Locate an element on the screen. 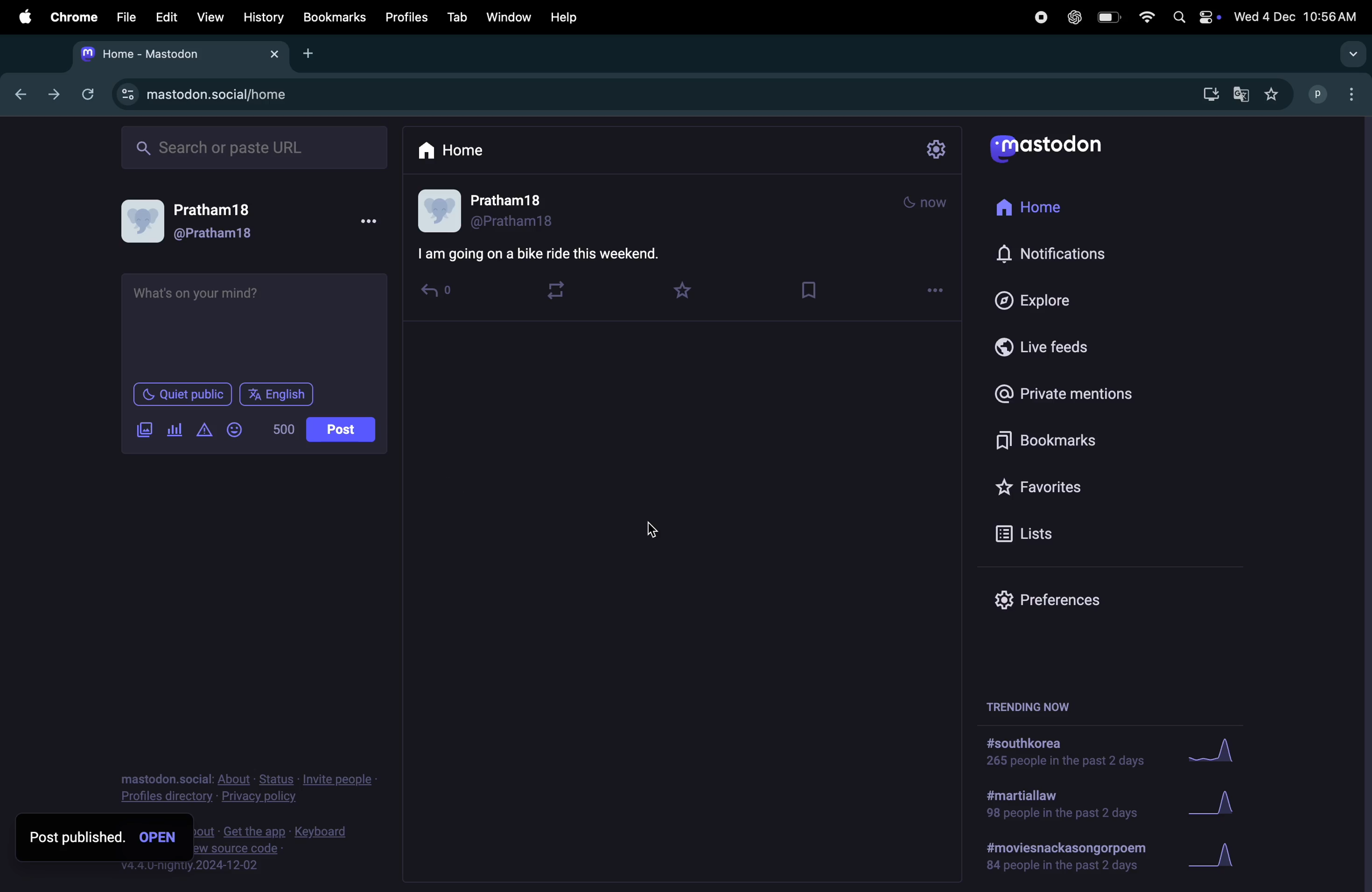 The height and width of the screenshot is (892, 1372). history is located at coordinates (263, 16).